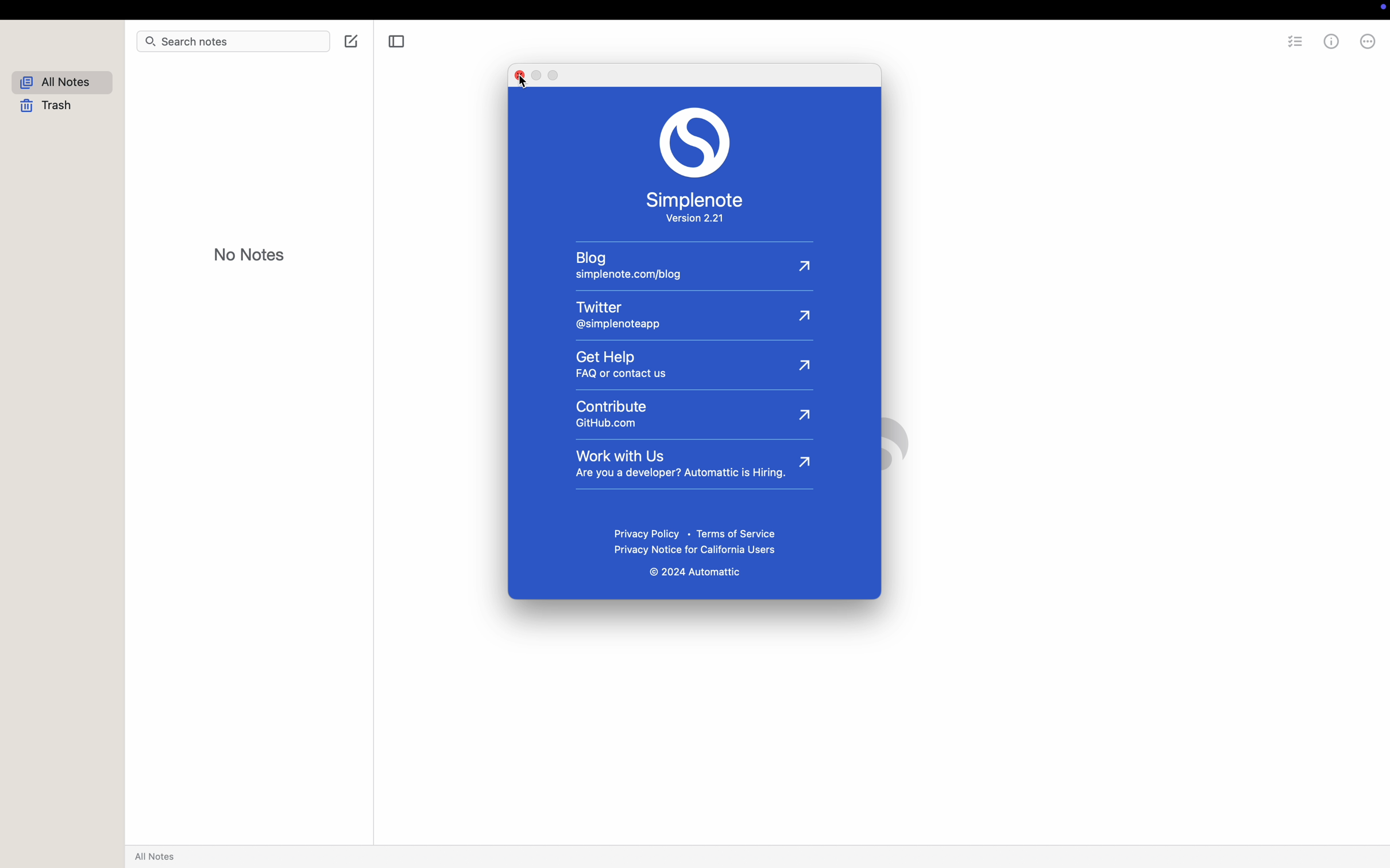 The height and width of the screenshot is (868, 1390). I want to click on close Simplenote, so click(10, 32).